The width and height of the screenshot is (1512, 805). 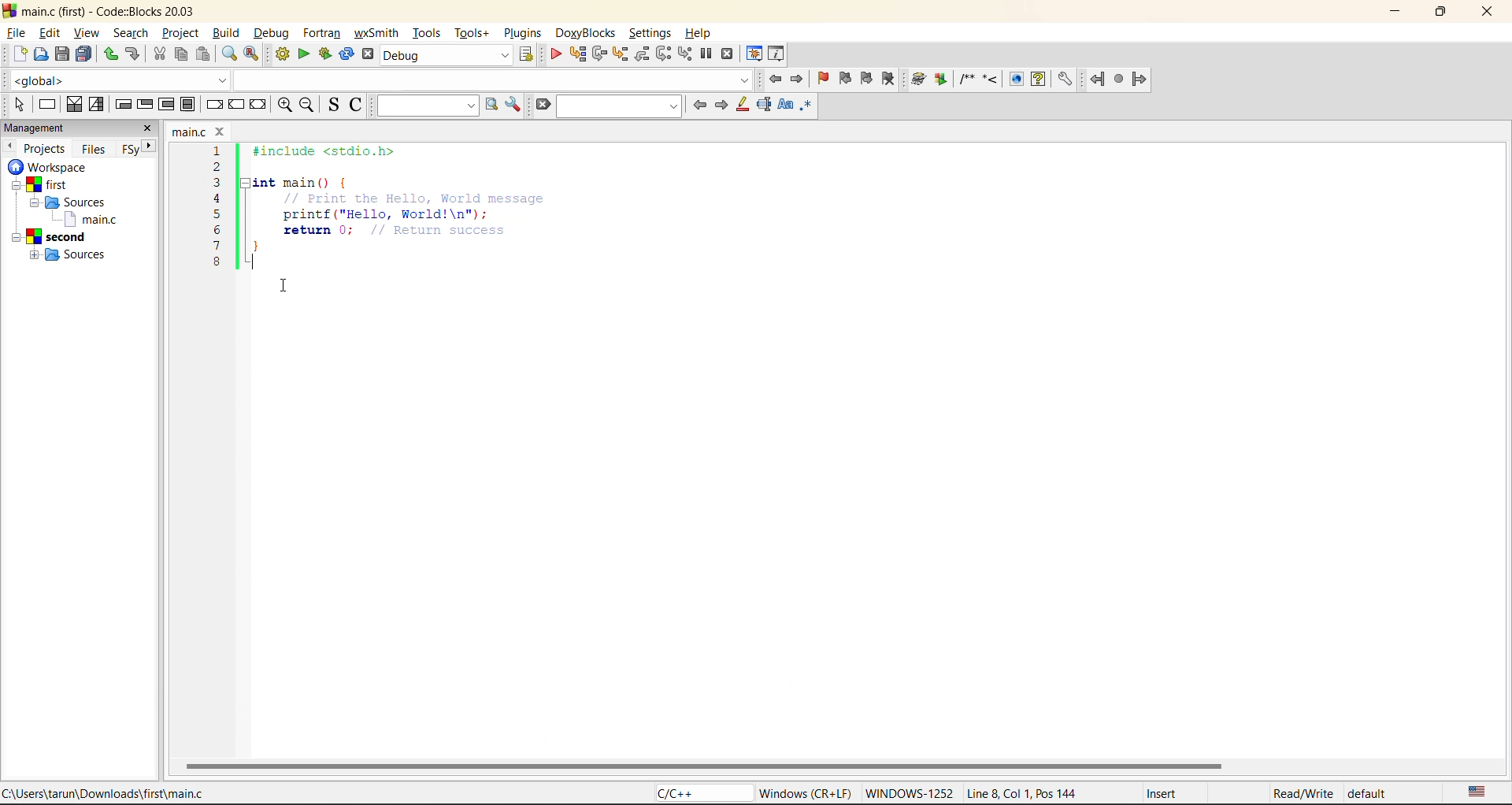 I want to click on save all, so click(x=85, y=53).